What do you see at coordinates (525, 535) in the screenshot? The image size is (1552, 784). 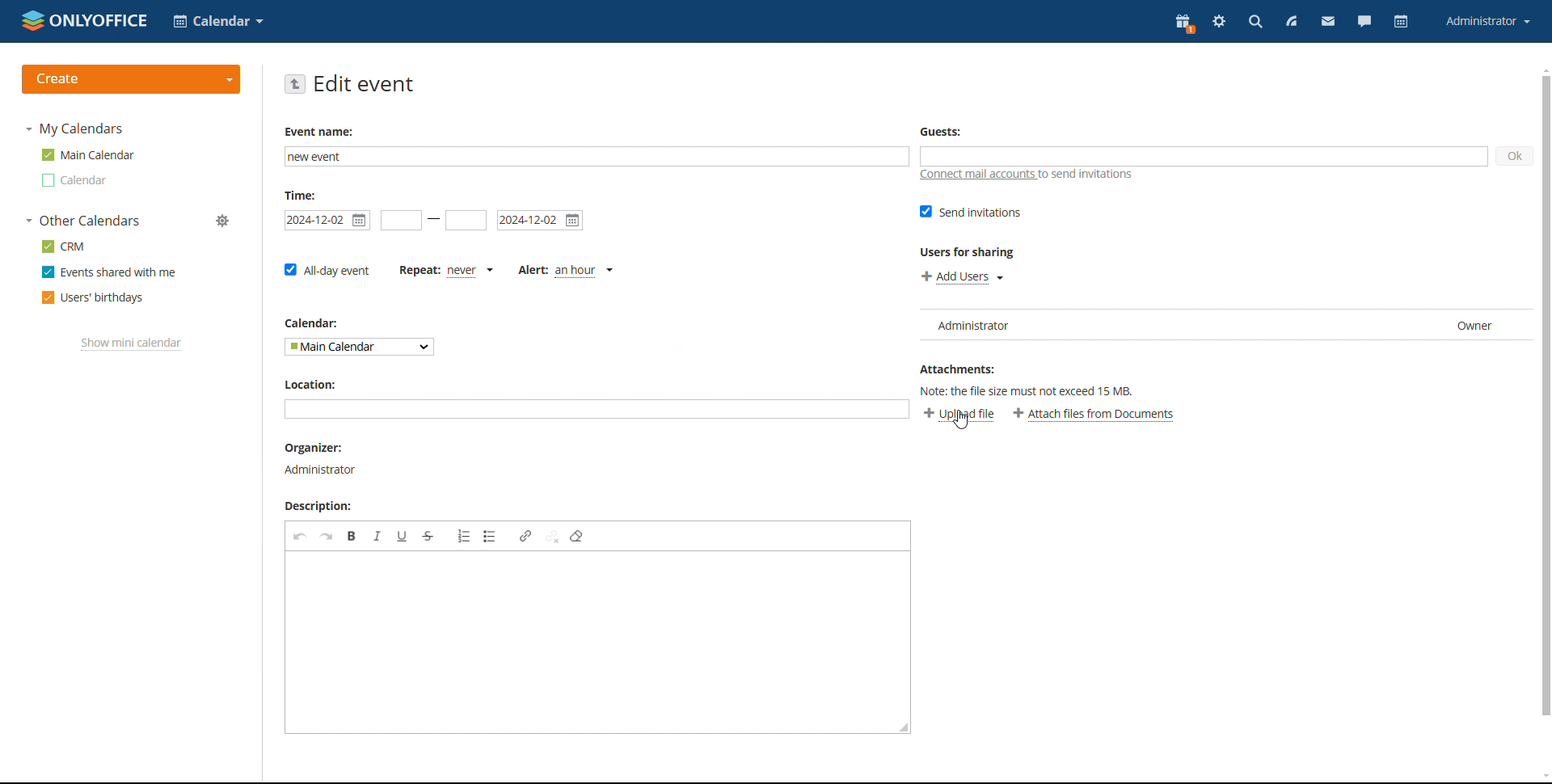 I see `link` at bounding box center [525, 535].